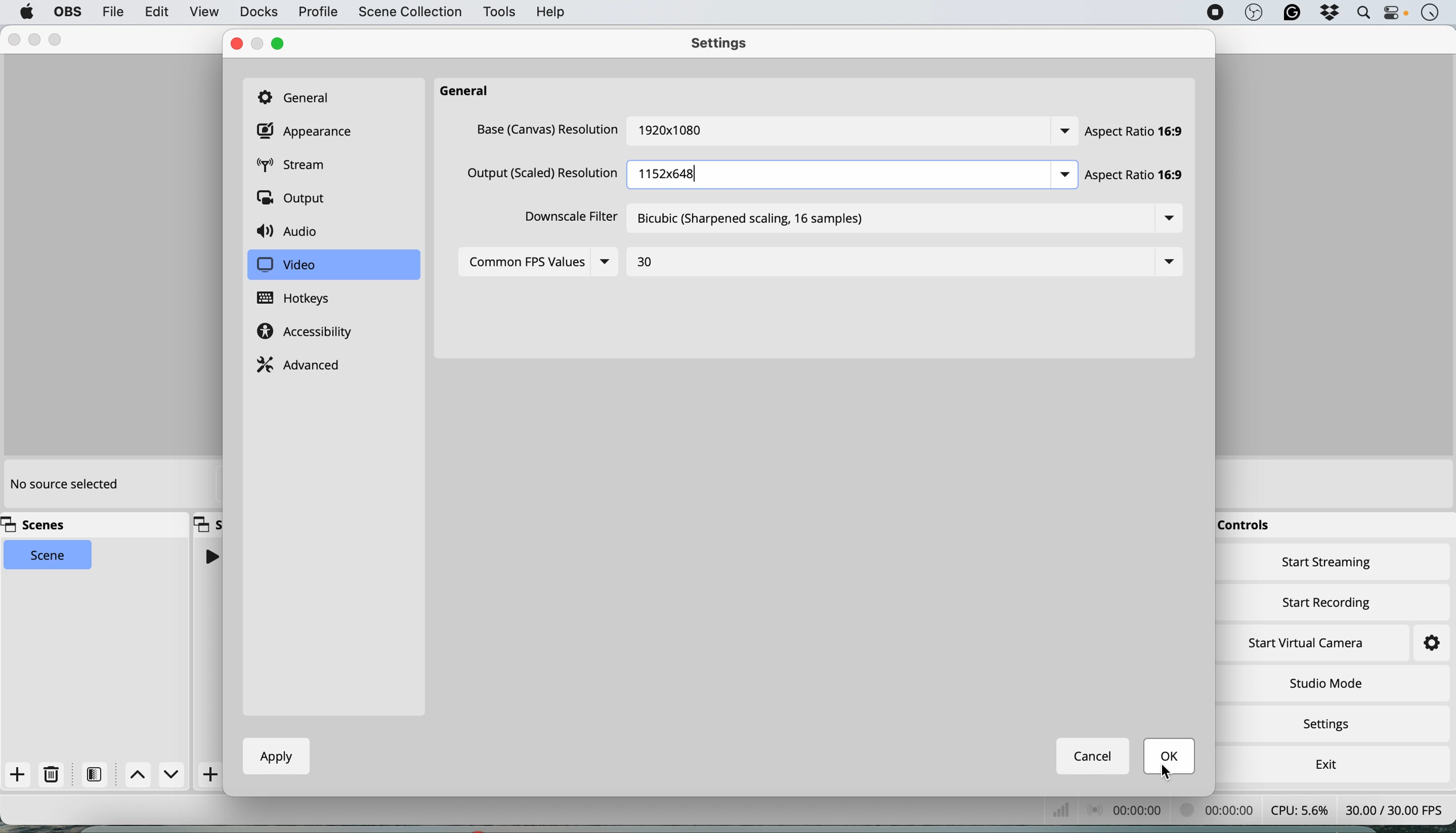 The height and width of the screenshot is (833, 1456). Describe the element at coordinates (1362, 13) in the screenshot. I see `spotlight search` at that location.